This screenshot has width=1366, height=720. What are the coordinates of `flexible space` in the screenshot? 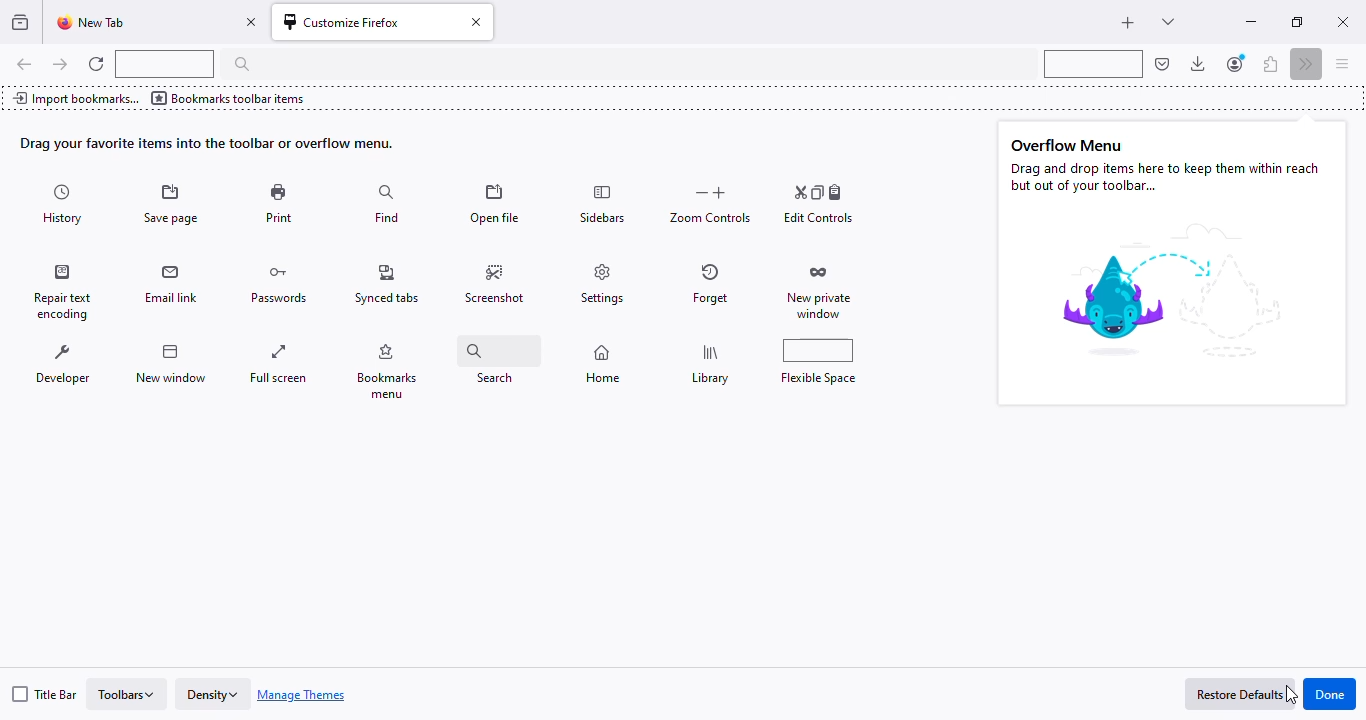 It's located at (819, 363).